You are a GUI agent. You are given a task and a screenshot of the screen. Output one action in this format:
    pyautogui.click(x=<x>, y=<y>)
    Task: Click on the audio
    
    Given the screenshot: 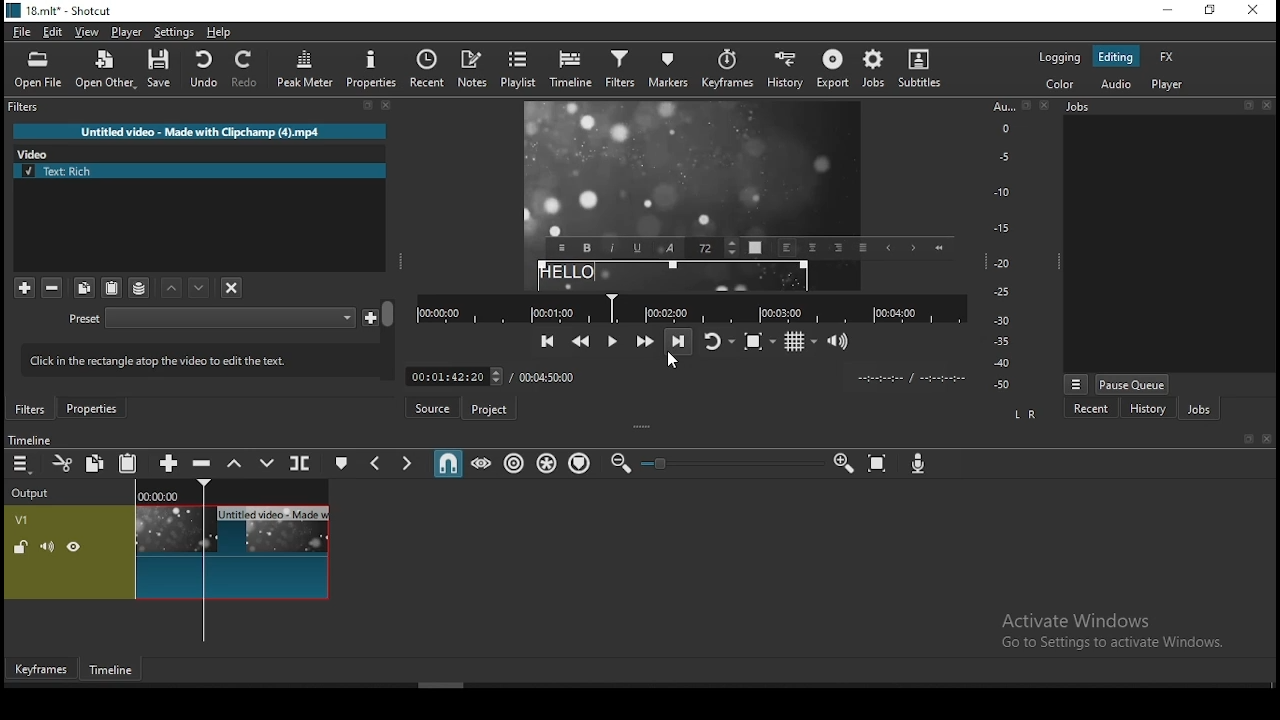 What is the action you would take?
    pyautogui.click(x=1115, y=85)
    